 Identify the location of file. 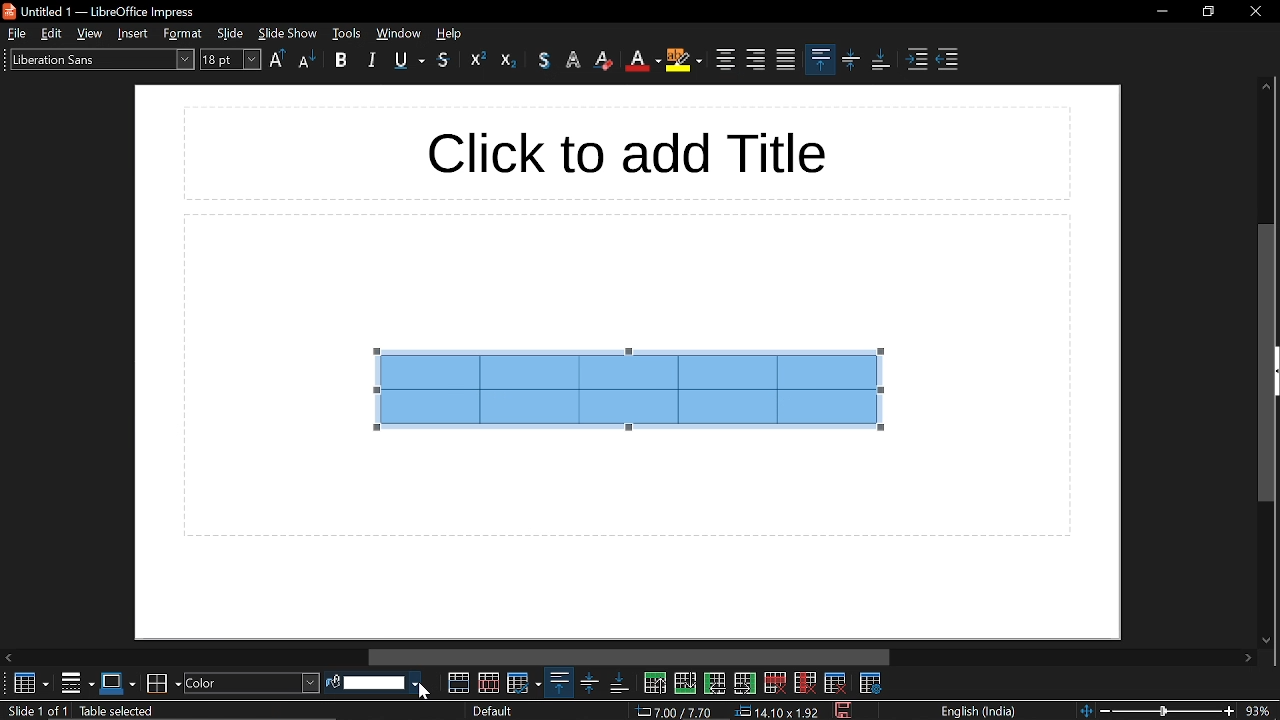
(17, 34).